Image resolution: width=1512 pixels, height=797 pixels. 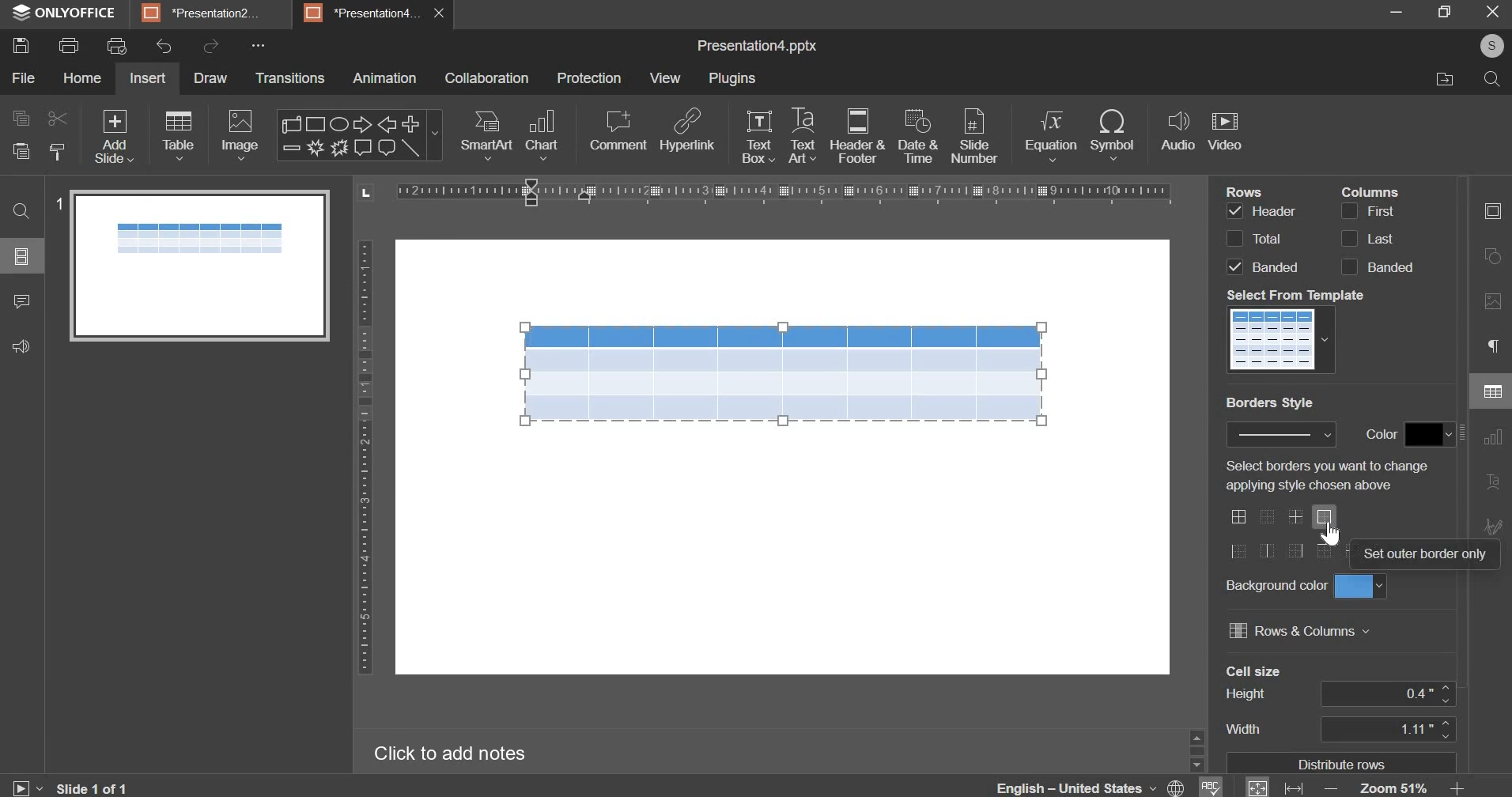 I want to click on image settings, so click(x=1492, y=304).